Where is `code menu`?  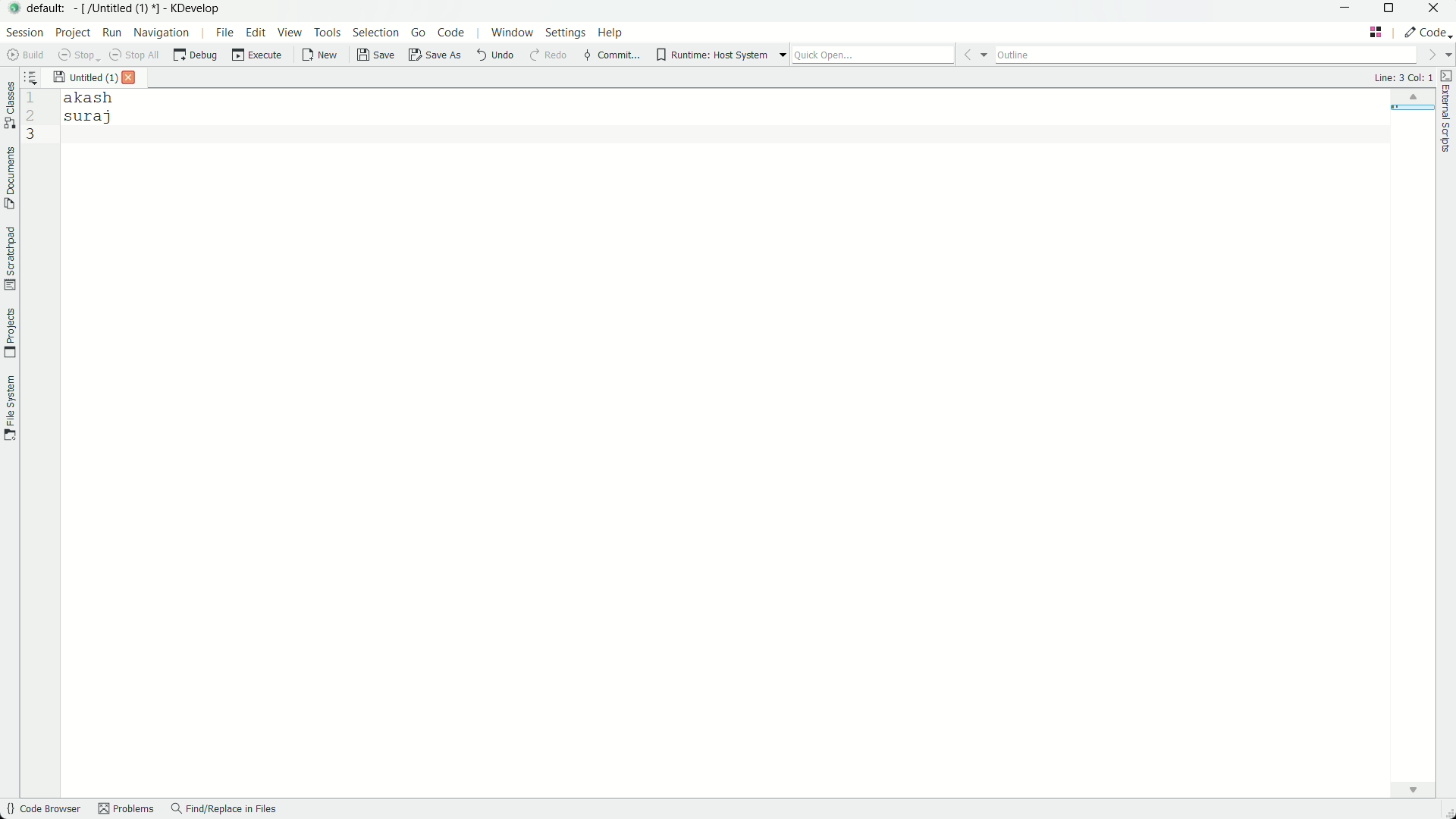 code menu is located at coordinates (450, 32).